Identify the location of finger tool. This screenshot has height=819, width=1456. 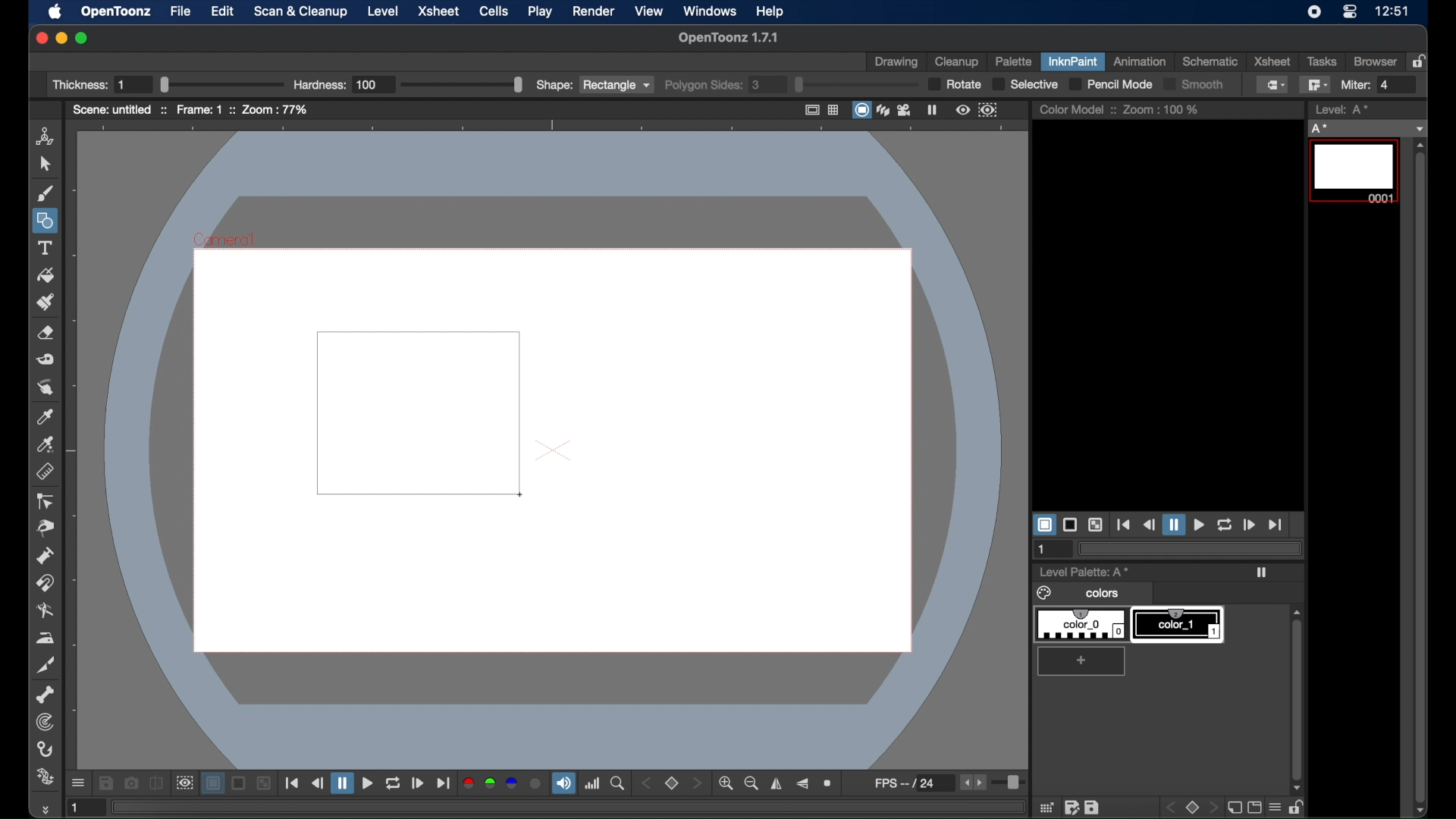
(45, 388).